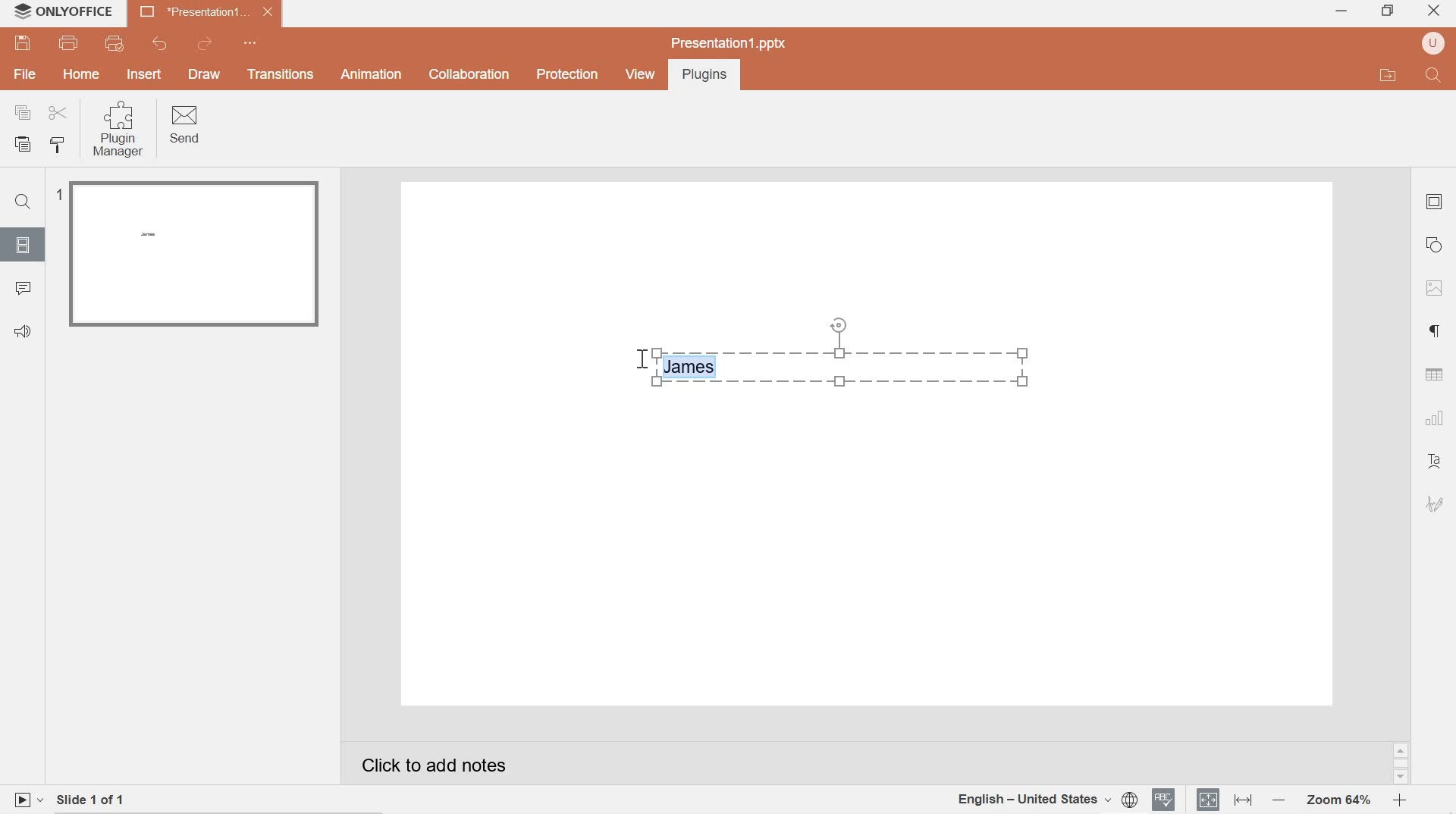 This screenshot has height=814, width=1456. I want to click on image, so click(1436, 290).